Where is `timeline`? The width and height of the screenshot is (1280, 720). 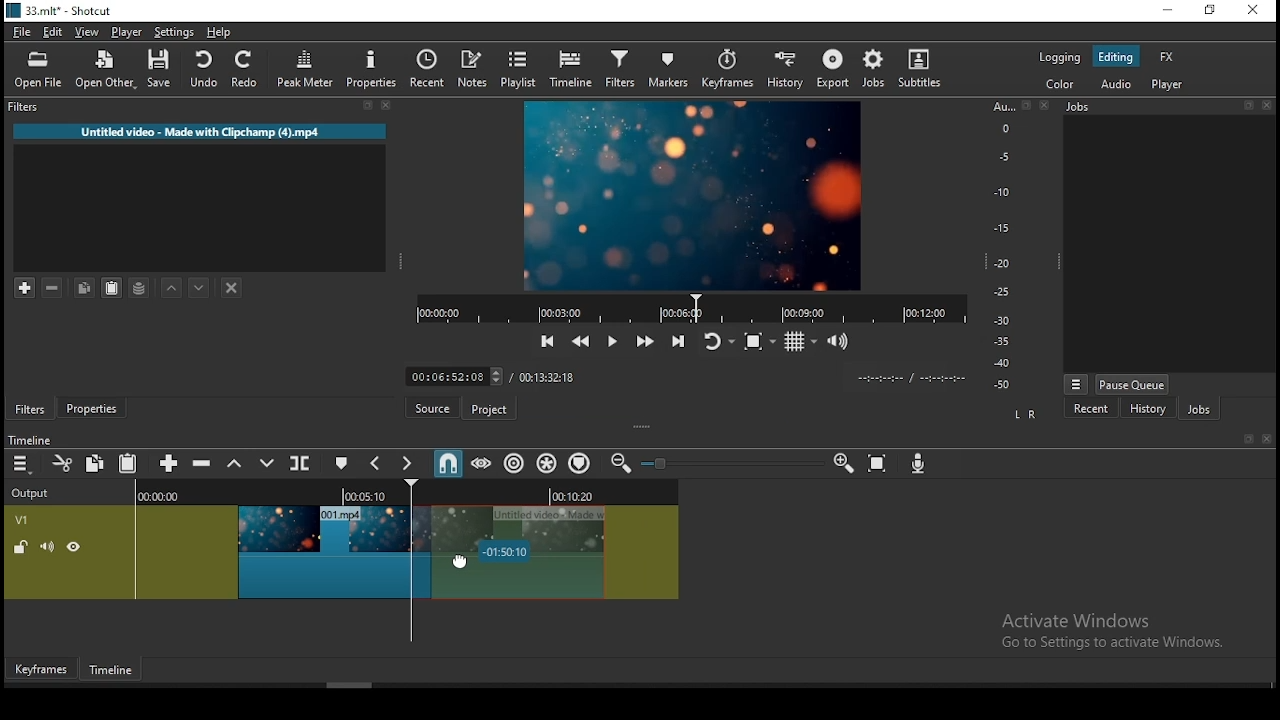 timeline is located at coordinates (568, 70).